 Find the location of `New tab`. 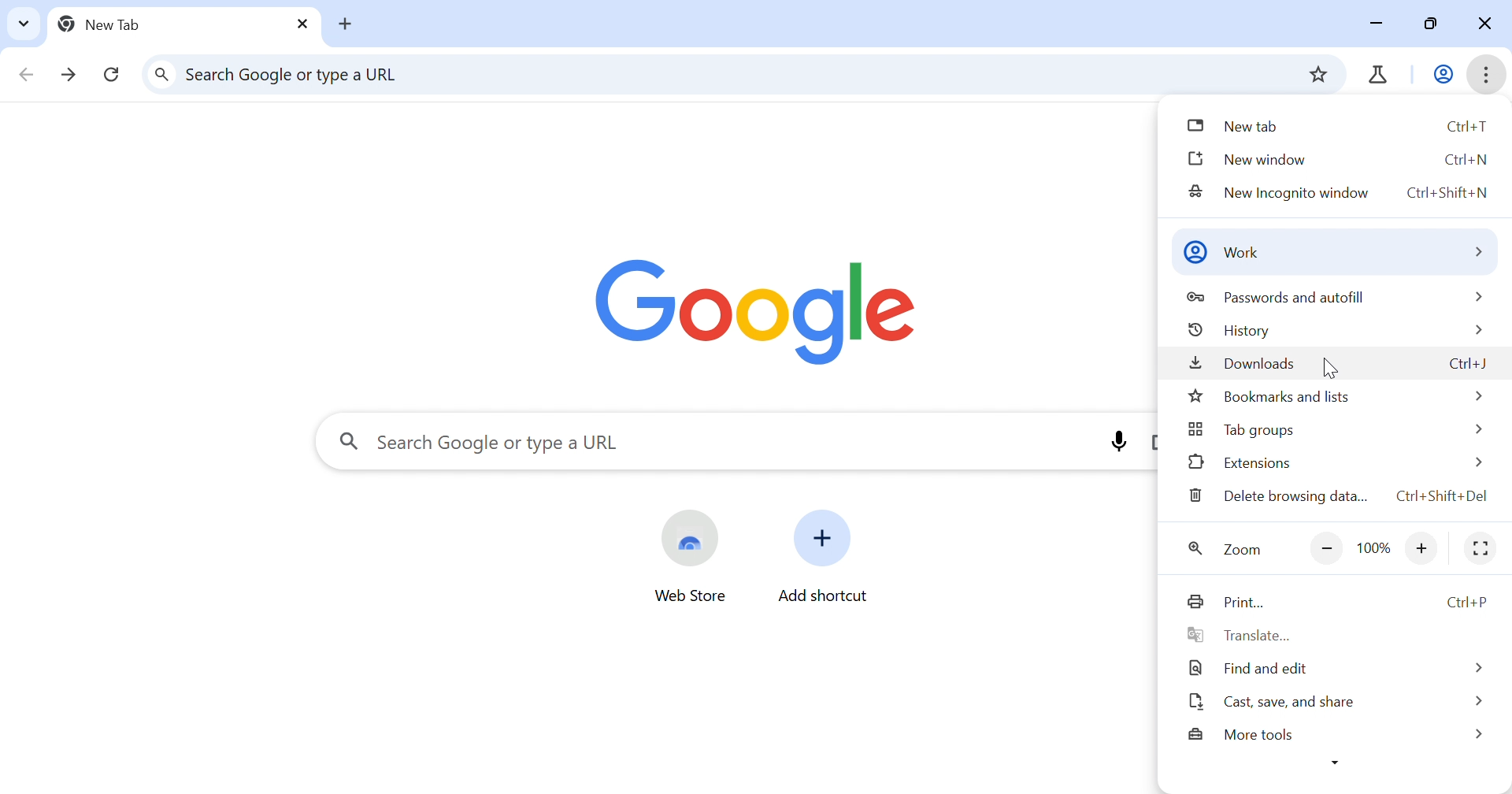

New tab is located at coordinates (1235, 126).